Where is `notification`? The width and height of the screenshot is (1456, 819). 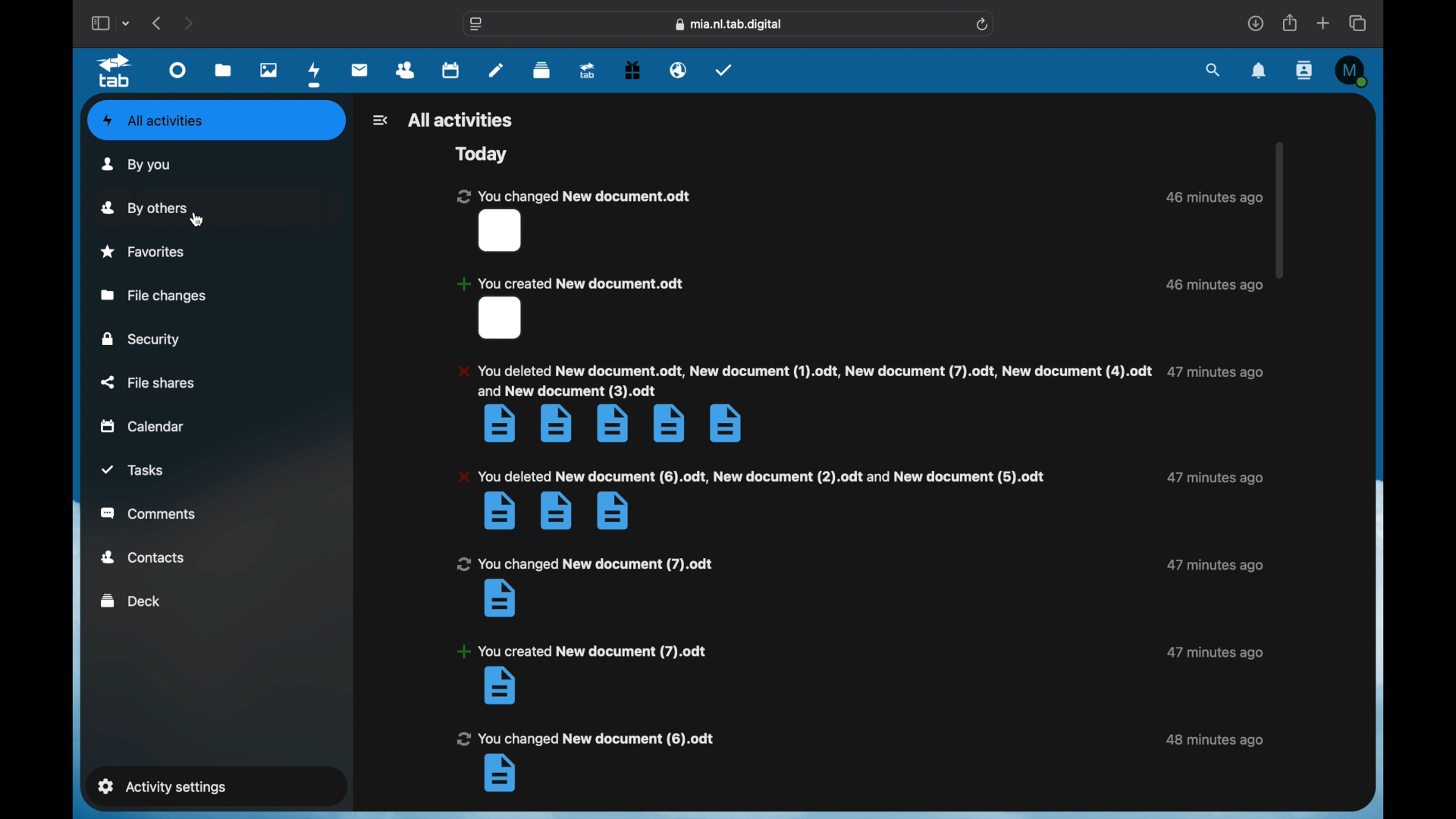 notification is located at coordinates (582, 675).